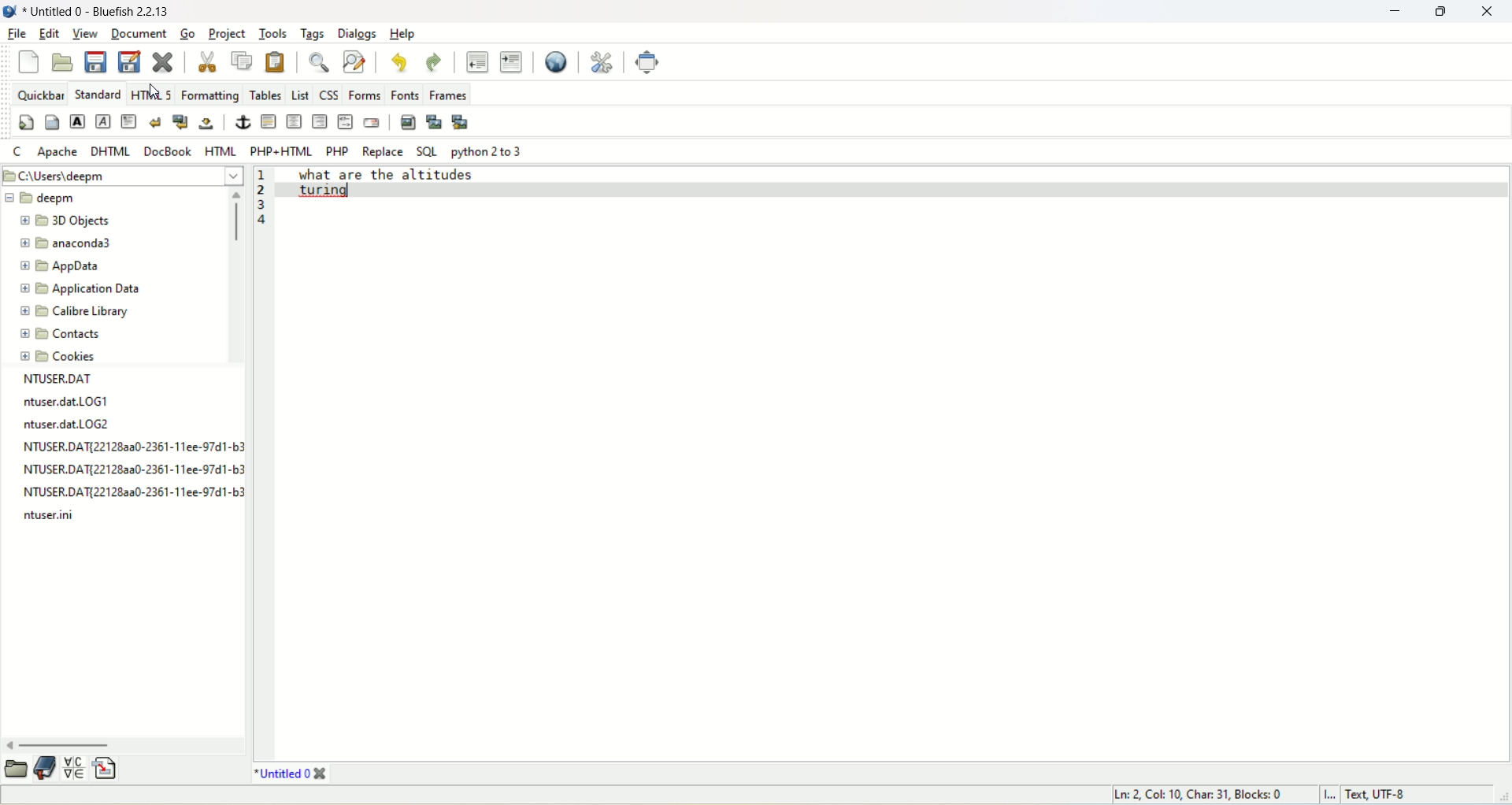 The width and height of the screenshot is (1512, 805). What do you see at coordinates (289, 775) in the screenshot?
I see `title` at bounding box center [289, 775].